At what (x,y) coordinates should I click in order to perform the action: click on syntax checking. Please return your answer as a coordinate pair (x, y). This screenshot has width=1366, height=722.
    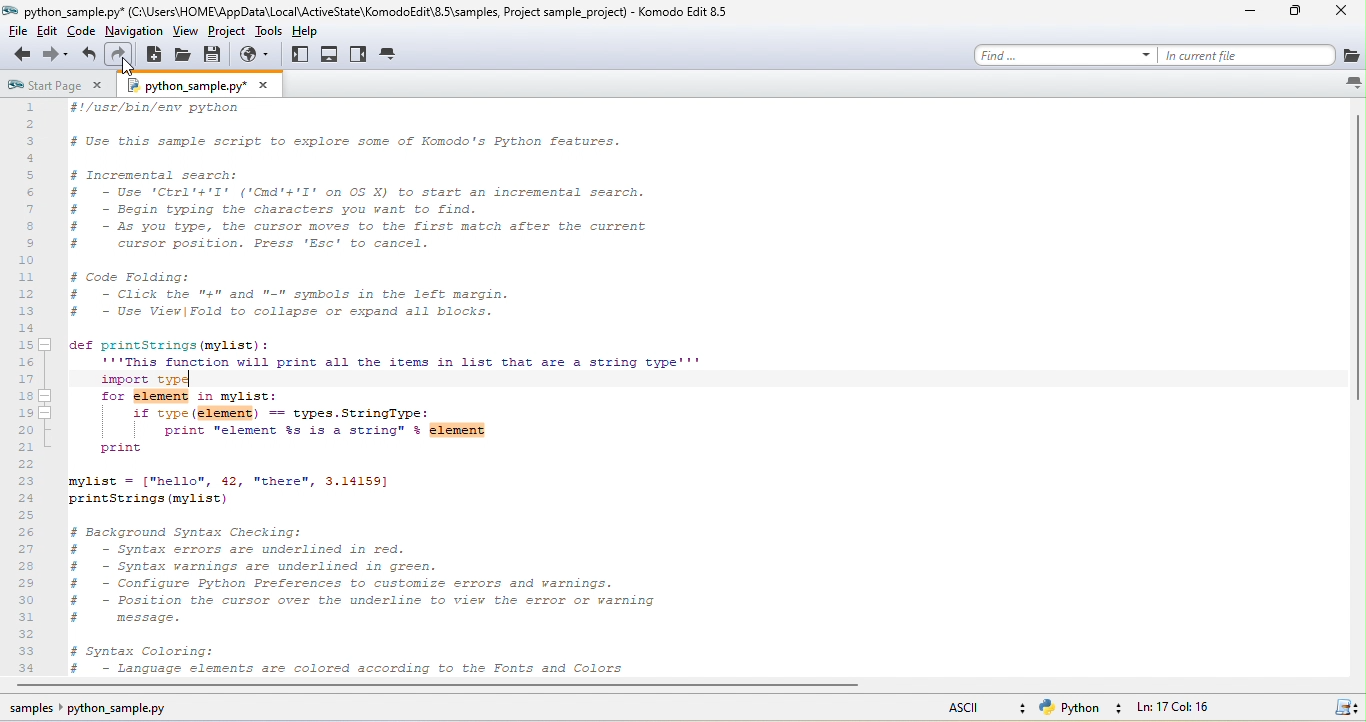
    Looking at the image, I should click on (1340, 706).